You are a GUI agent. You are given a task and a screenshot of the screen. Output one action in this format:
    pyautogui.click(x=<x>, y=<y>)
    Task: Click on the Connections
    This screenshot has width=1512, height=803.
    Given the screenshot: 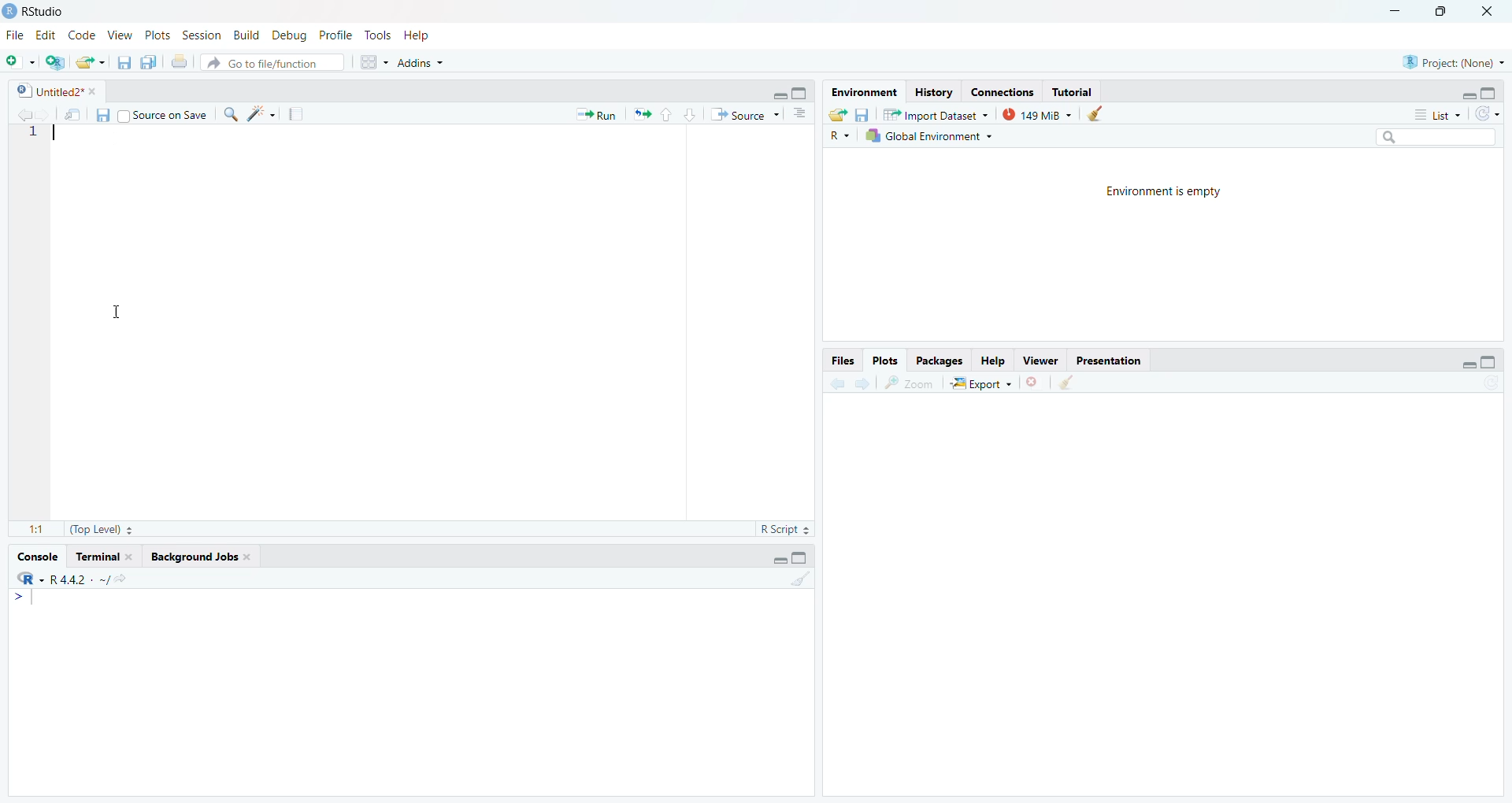 What is the action you would take?
    pyautogui.click(x=1002, y=92)
    